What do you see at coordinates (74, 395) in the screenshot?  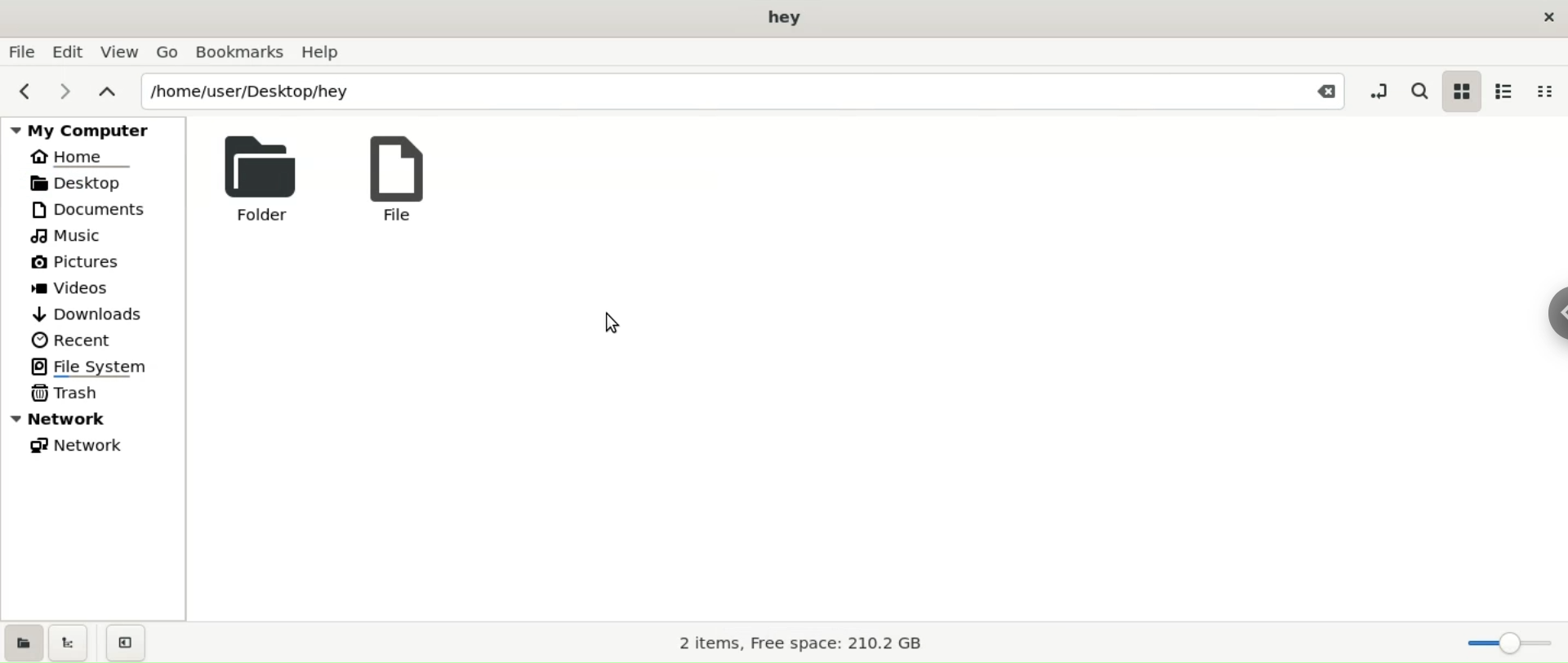 I see `trash` at bounding box center [74, 395].